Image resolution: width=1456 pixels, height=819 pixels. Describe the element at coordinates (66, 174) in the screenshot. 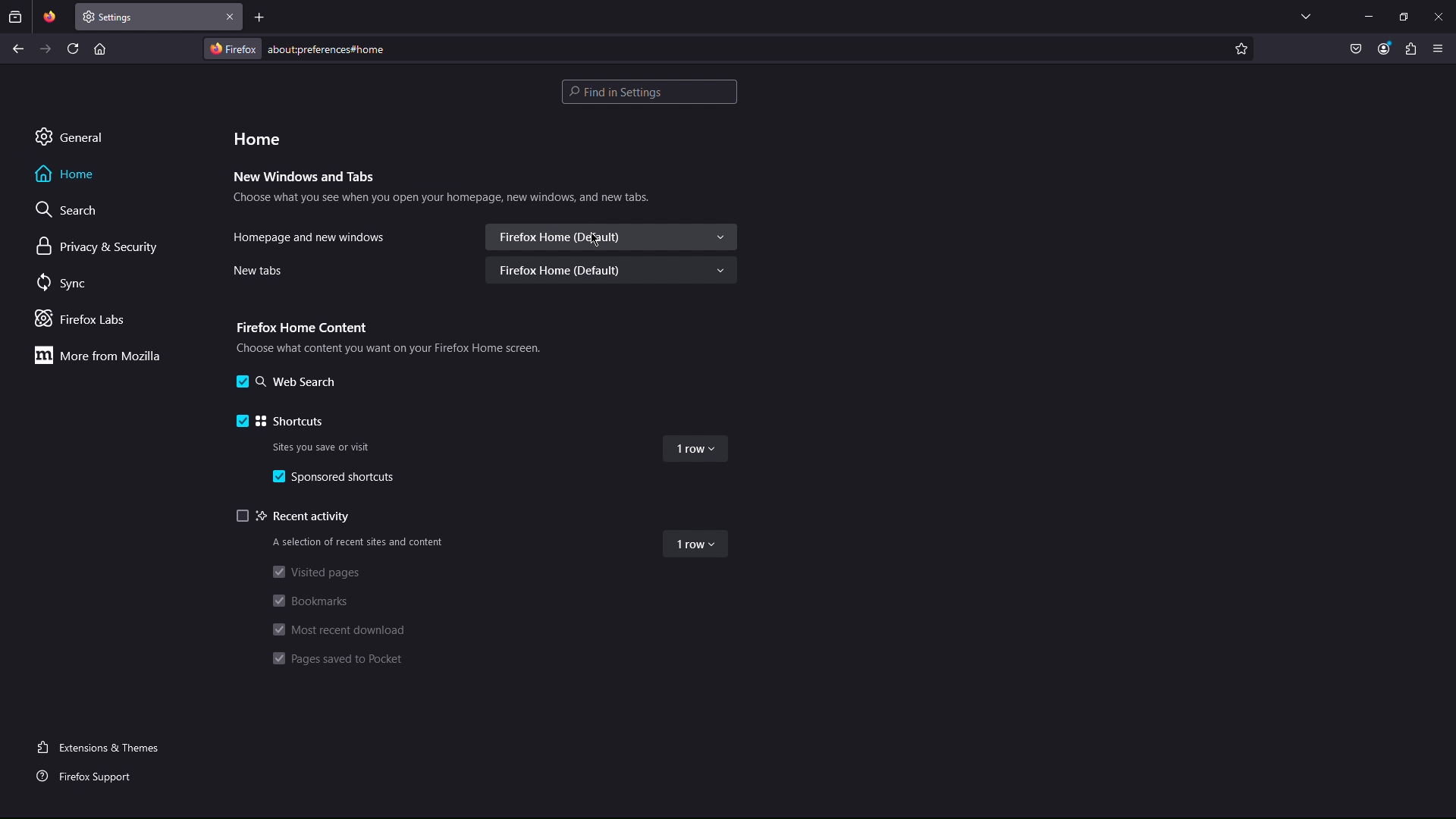

I see `Home` at that location.